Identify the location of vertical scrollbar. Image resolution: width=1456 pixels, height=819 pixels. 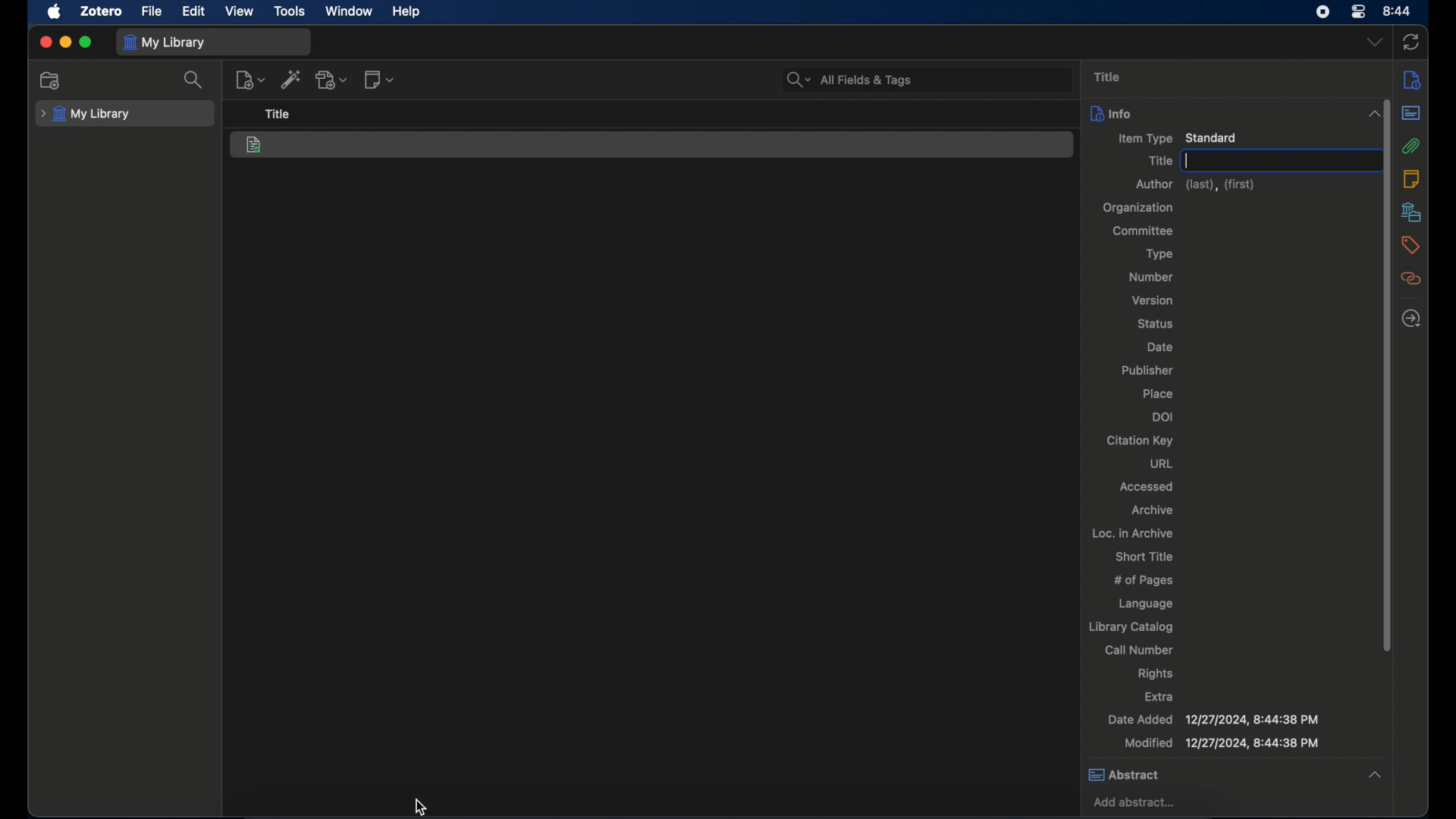
(1389, 529).